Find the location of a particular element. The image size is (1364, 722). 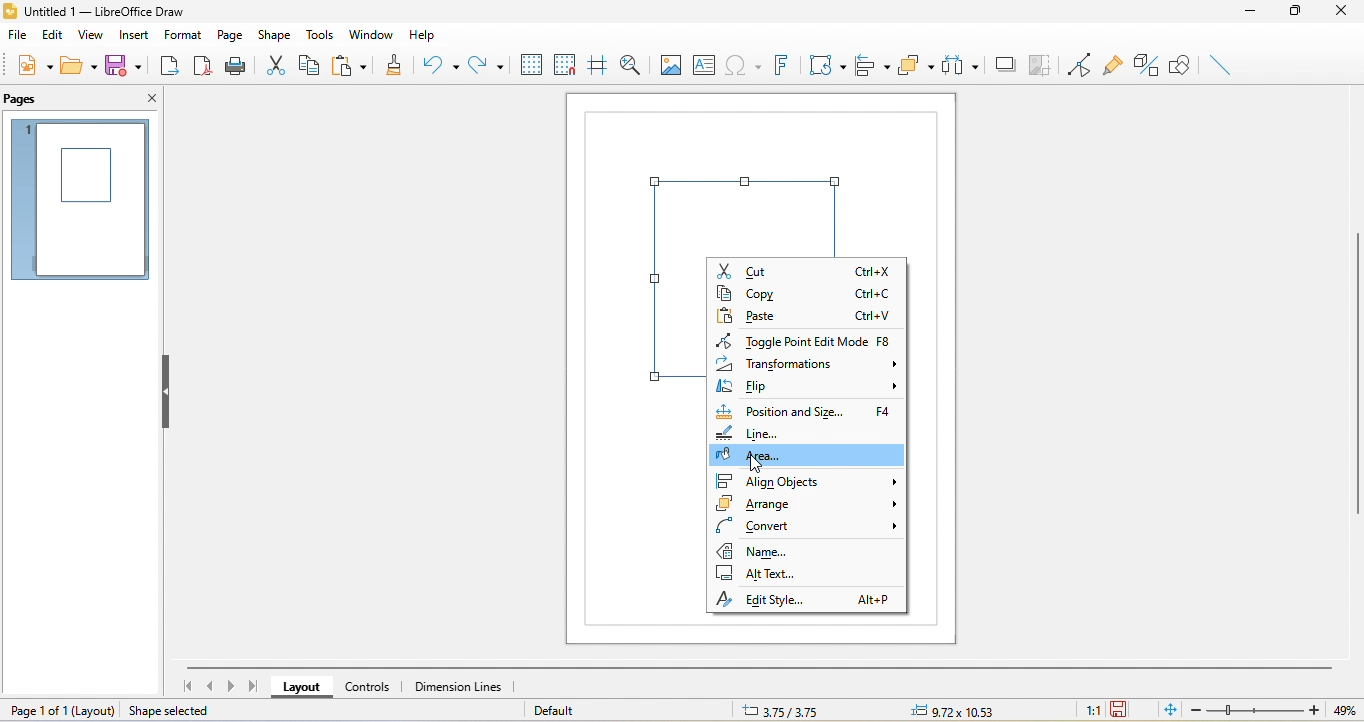

zoom and pan is located at coordinates (635, 65).